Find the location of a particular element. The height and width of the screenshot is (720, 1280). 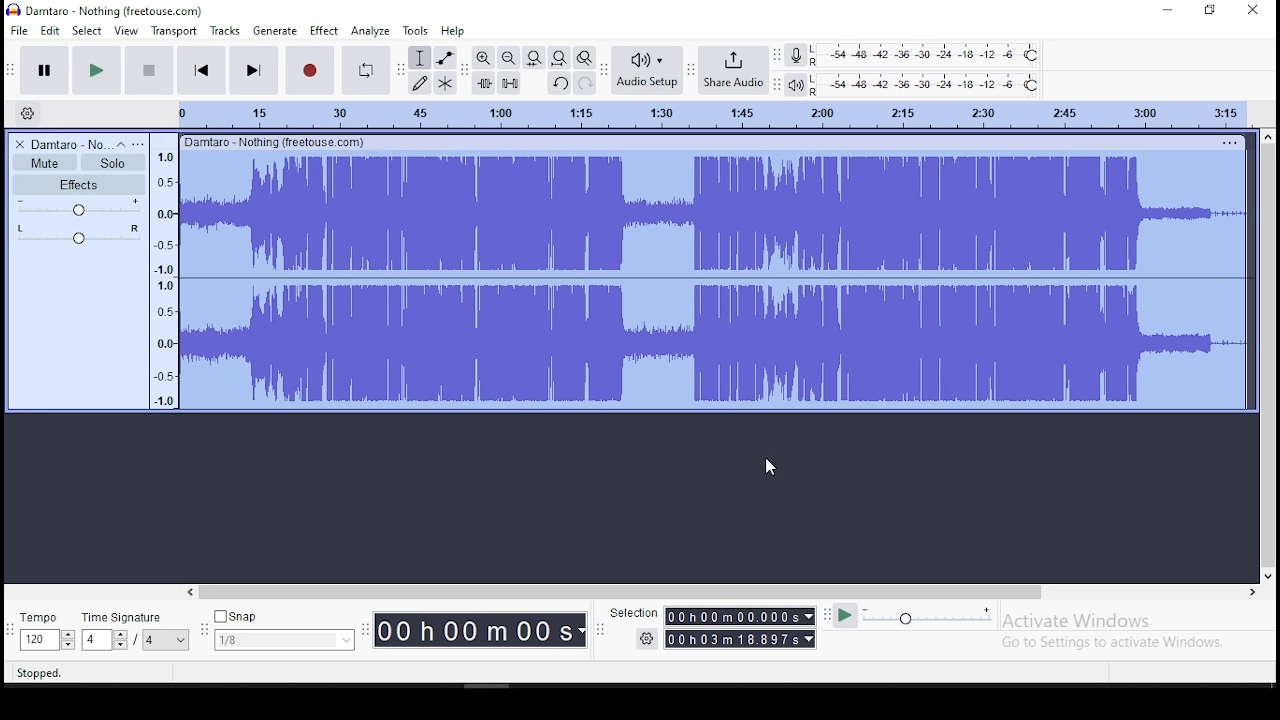

edit is located at coordinates (50, 30).